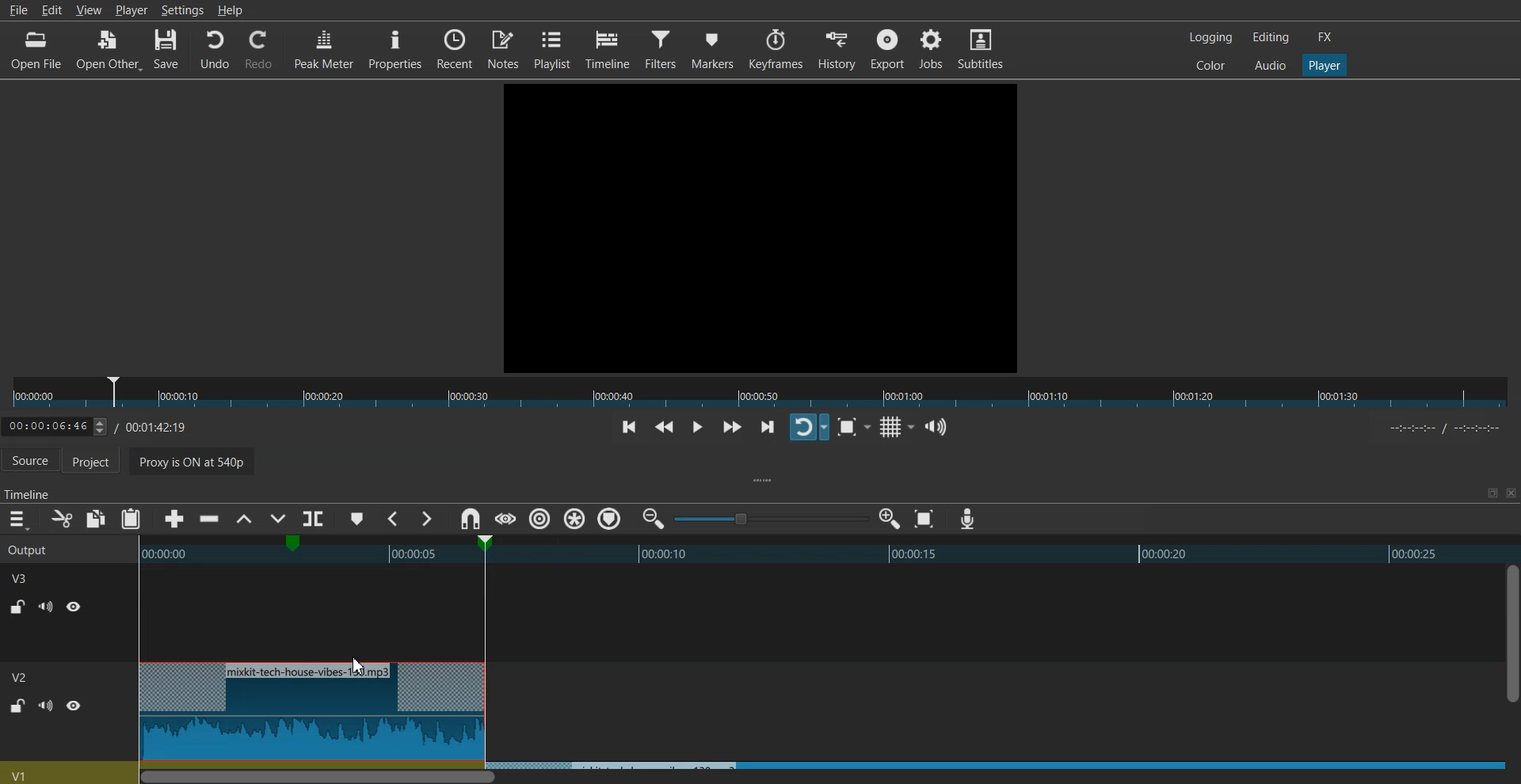 Image resolution: width=1521 pixels, height=784 pixels. What do you see at coordinates (575, 519) in the screenshot?
I see `Ripple all markers` at bounding box center [575, 519].